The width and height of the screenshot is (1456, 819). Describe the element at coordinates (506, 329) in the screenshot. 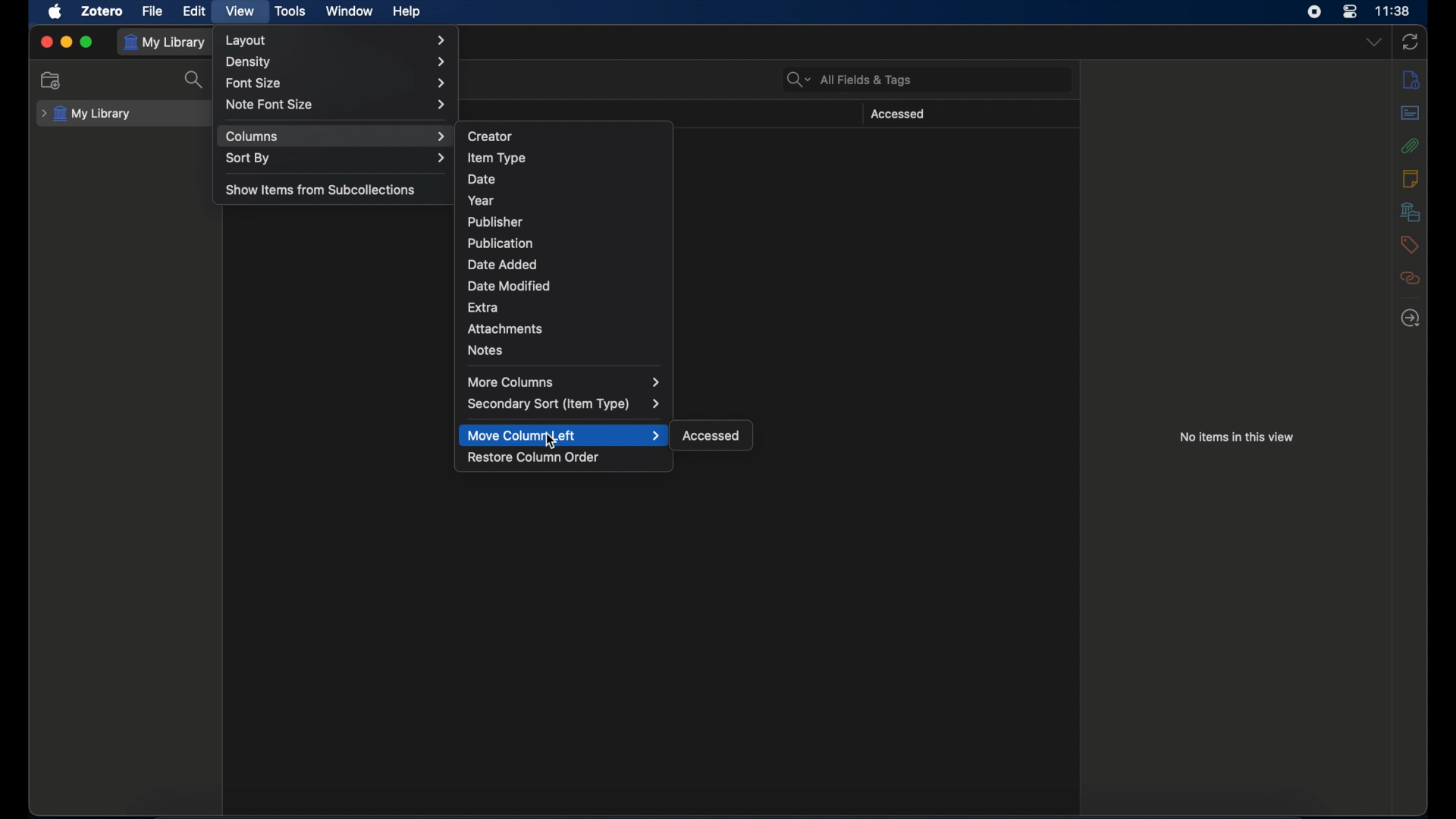

I see `attachments` at that location.